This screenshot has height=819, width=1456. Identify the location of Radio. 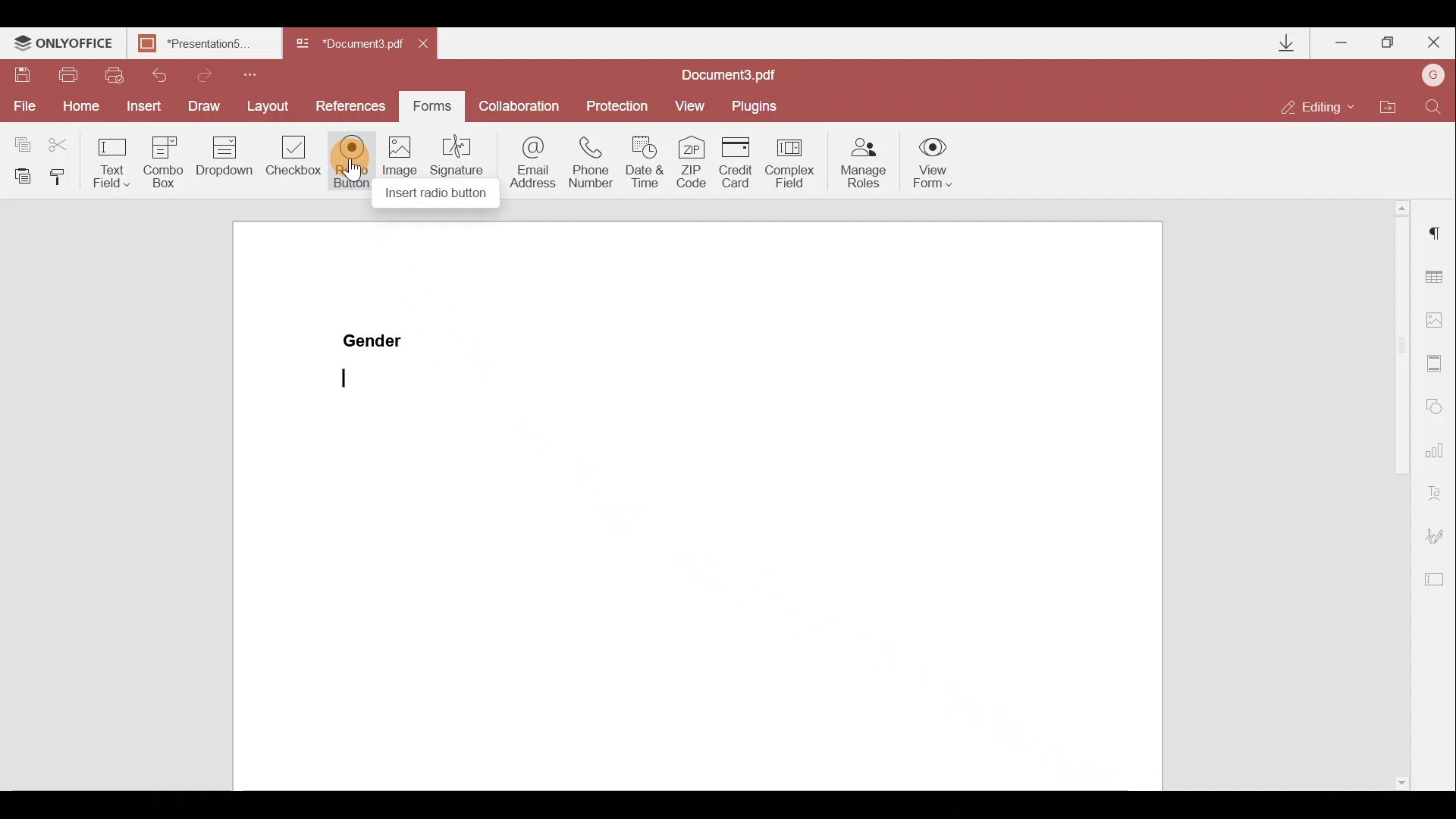
(352, 162).